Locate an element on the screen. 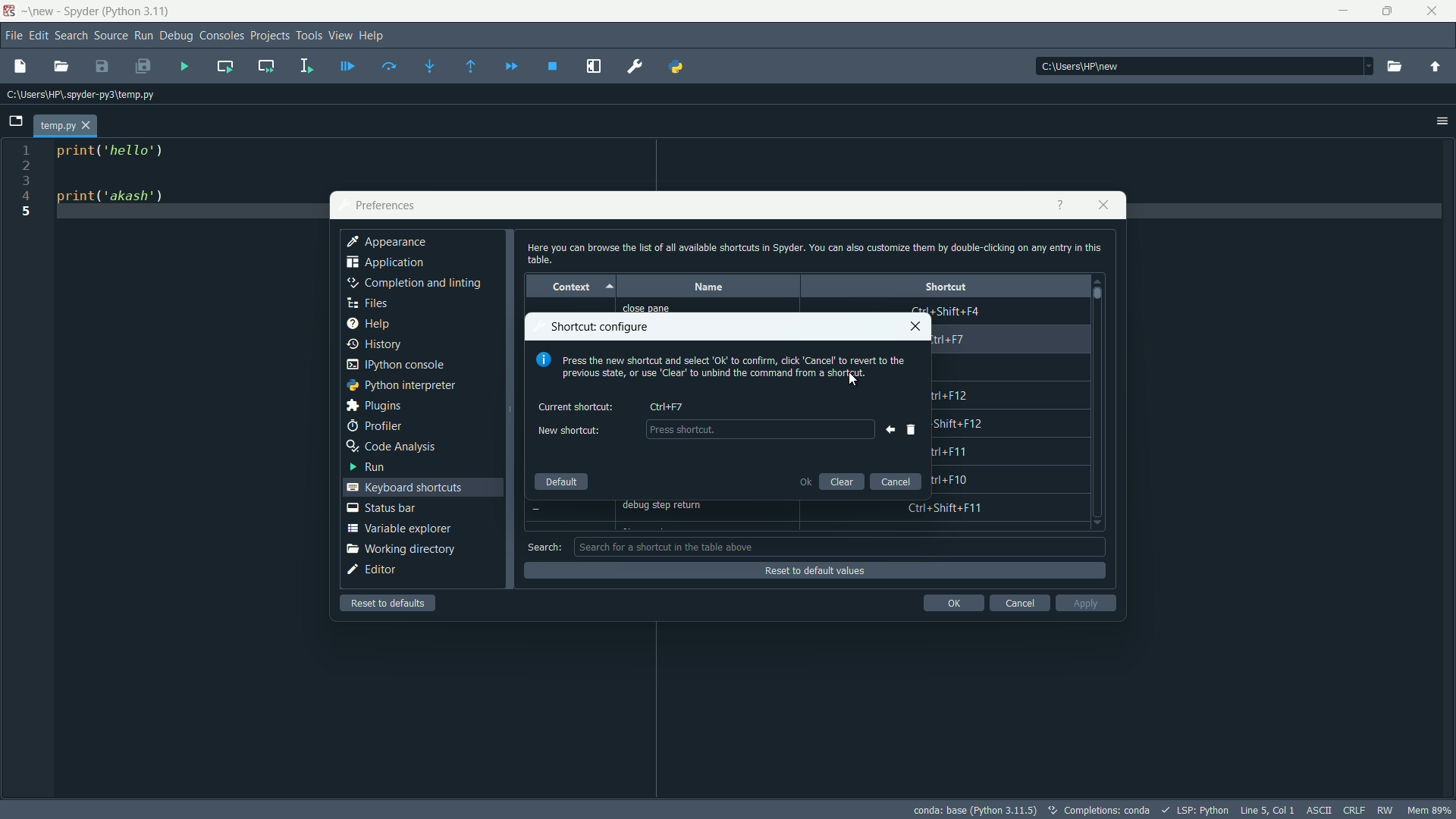  run is located at coordinates (365, 466).